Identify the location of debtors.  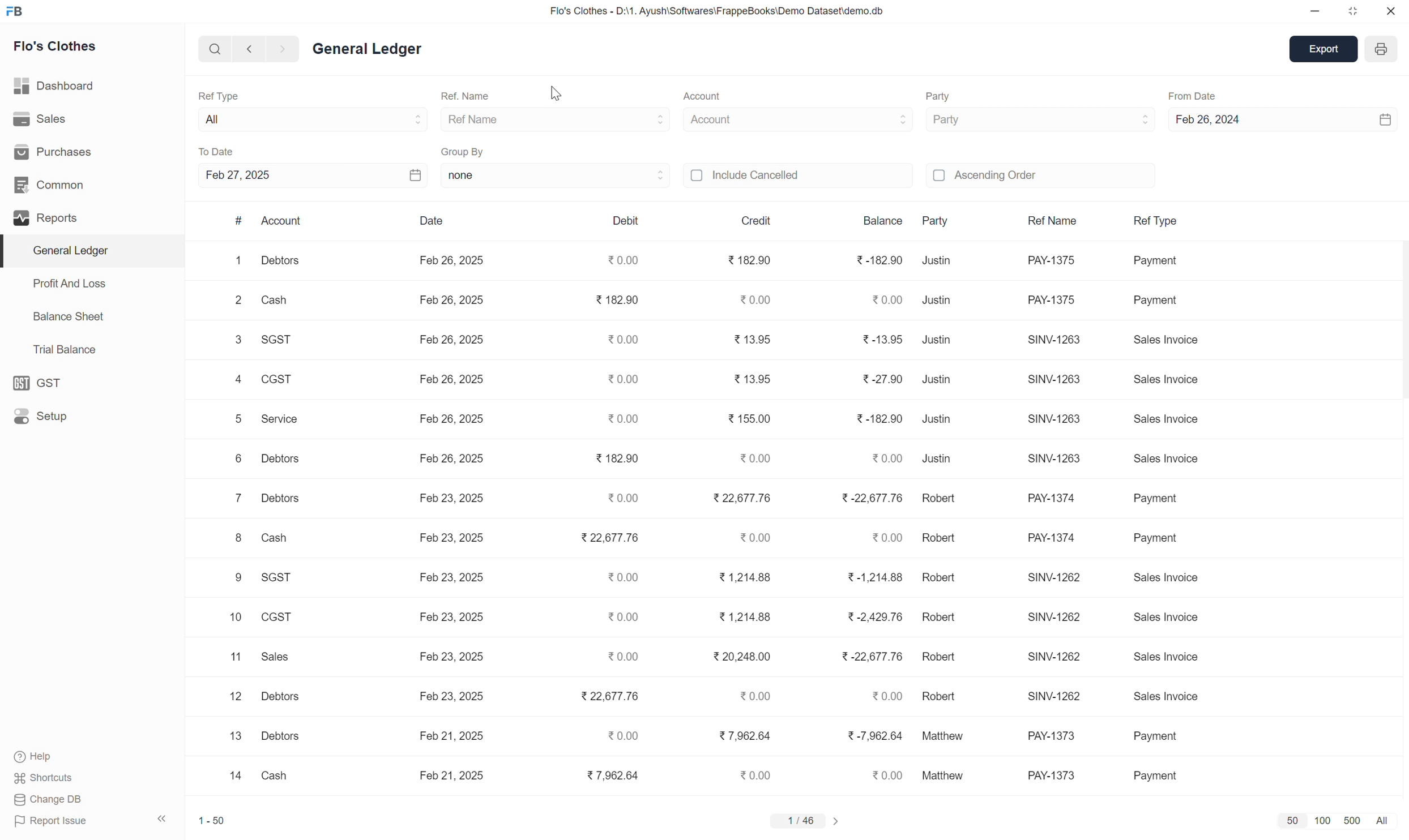
(277, 735).